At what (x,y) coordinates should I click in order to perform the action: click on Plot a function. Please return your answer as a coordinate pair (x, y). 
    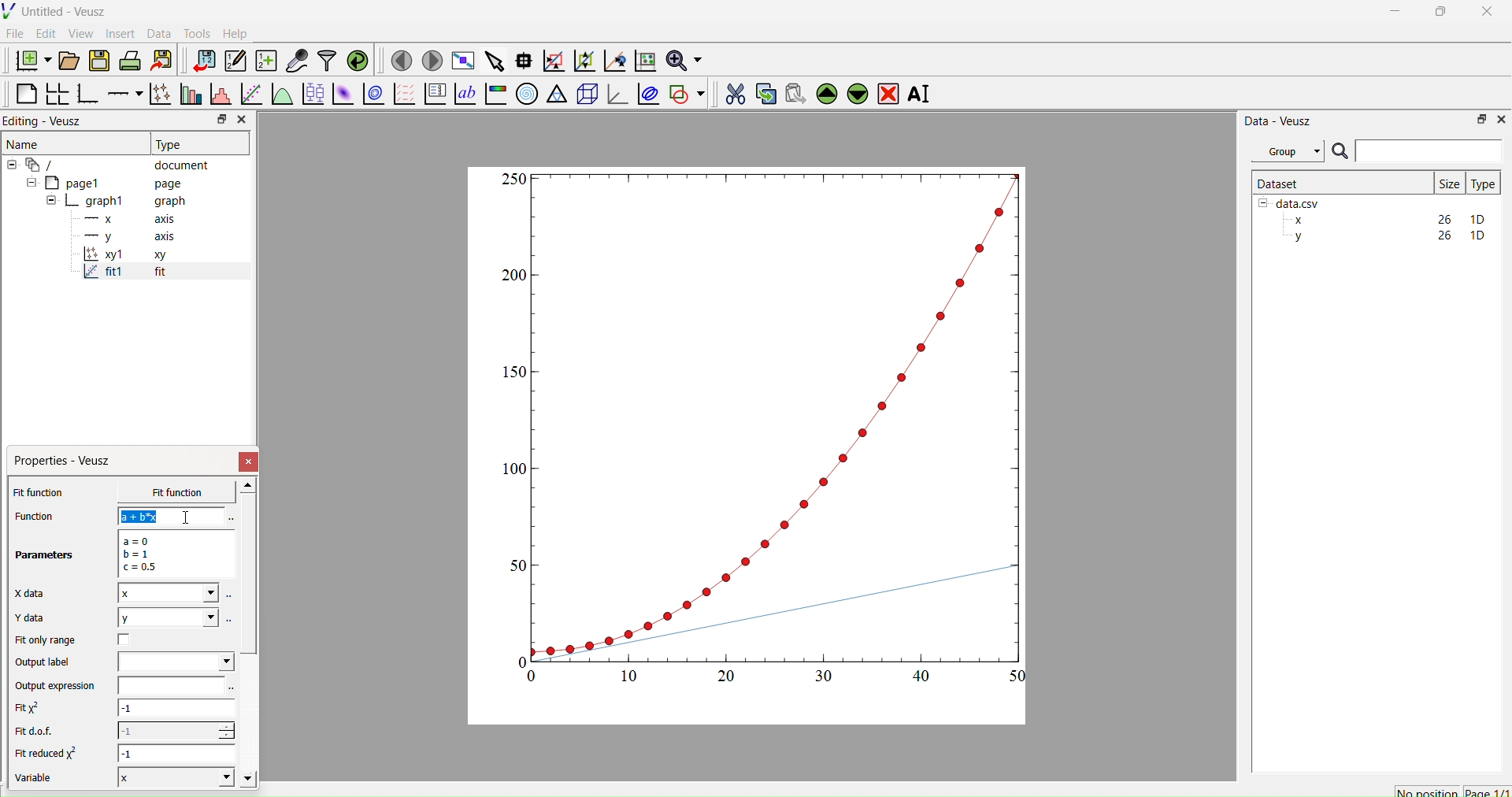
    Looking at the image, I should click on (281, 95).